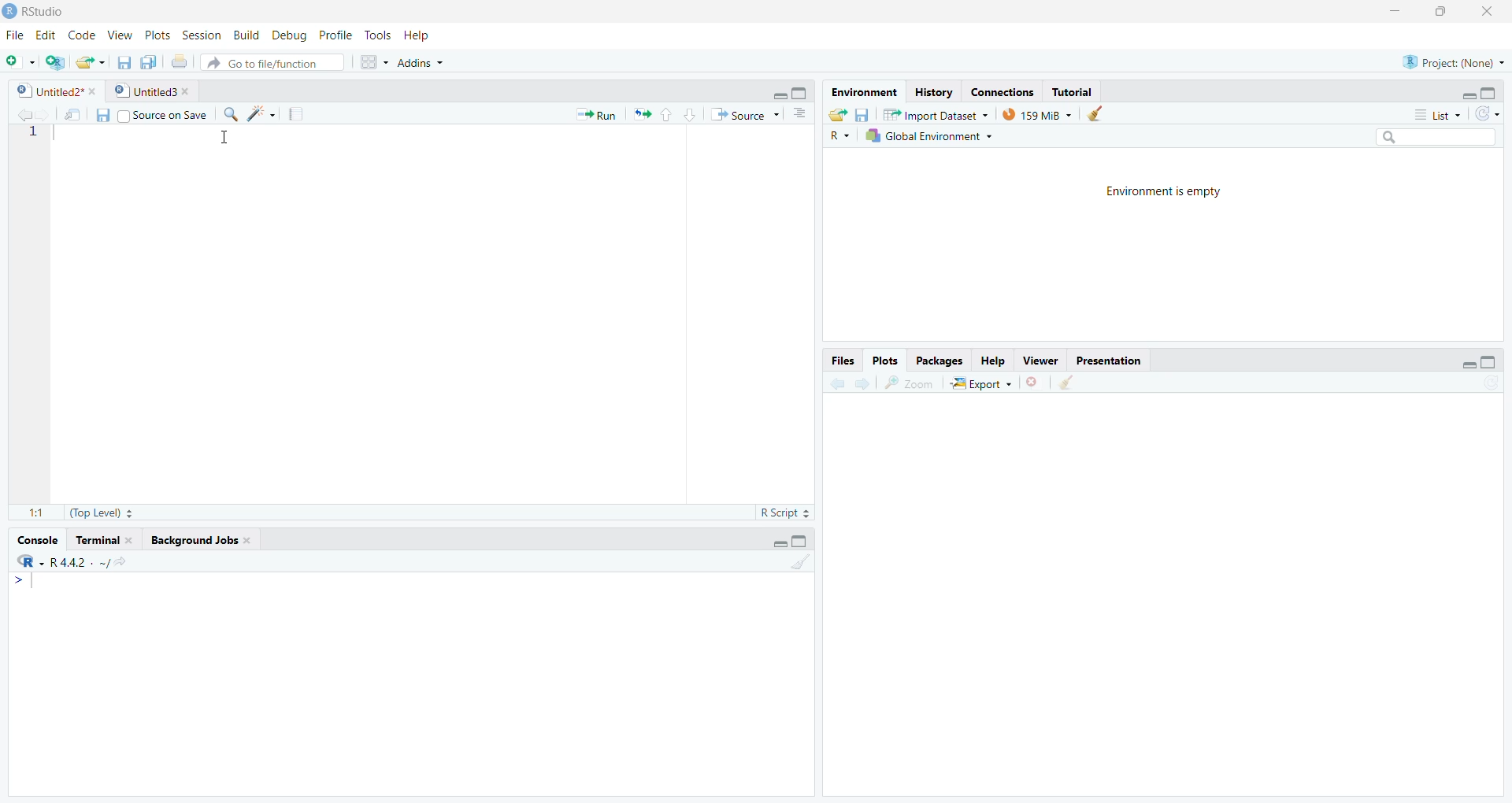  What do you see at coordinates (1452, 61) in the screenshot?
I see `Project (none)` at bounding box center [1452, 61].